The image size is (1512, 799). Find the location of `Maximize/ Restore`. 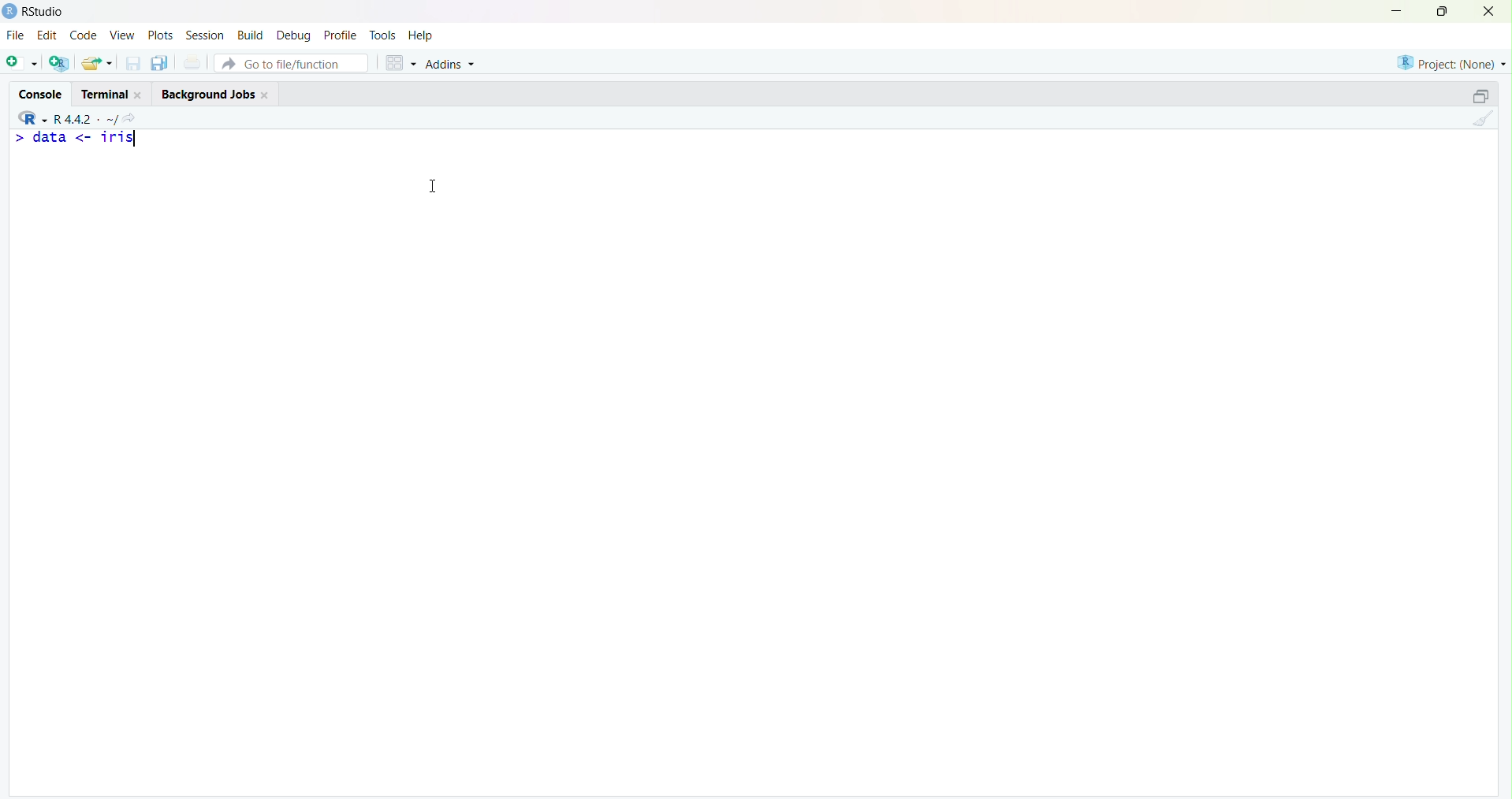

Maximize/ Restore is located at coordinates (1478, 95).